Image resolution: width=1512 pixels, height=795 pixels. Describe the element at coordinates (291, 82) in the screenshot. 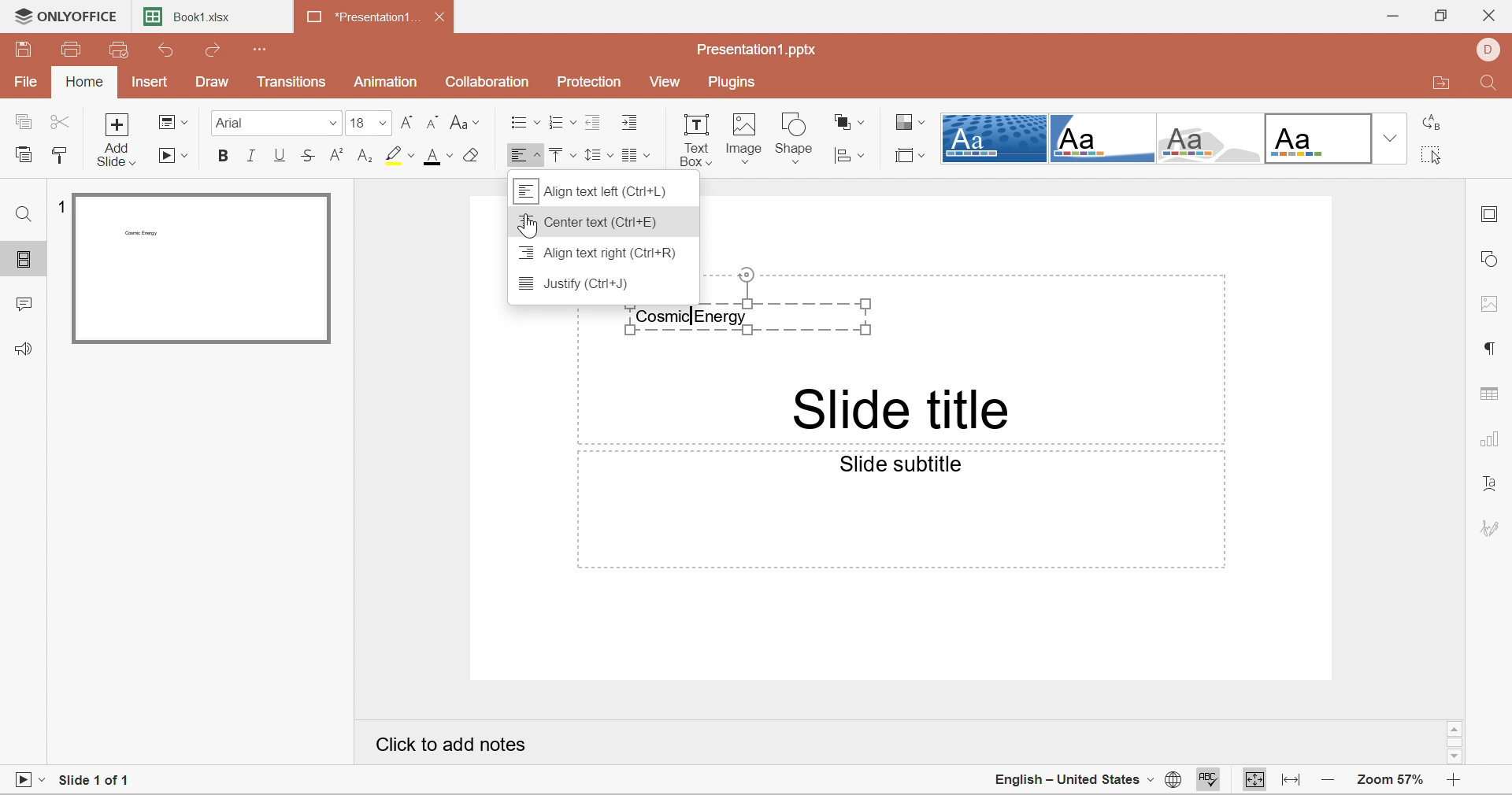

I see `Transitions` at that location.